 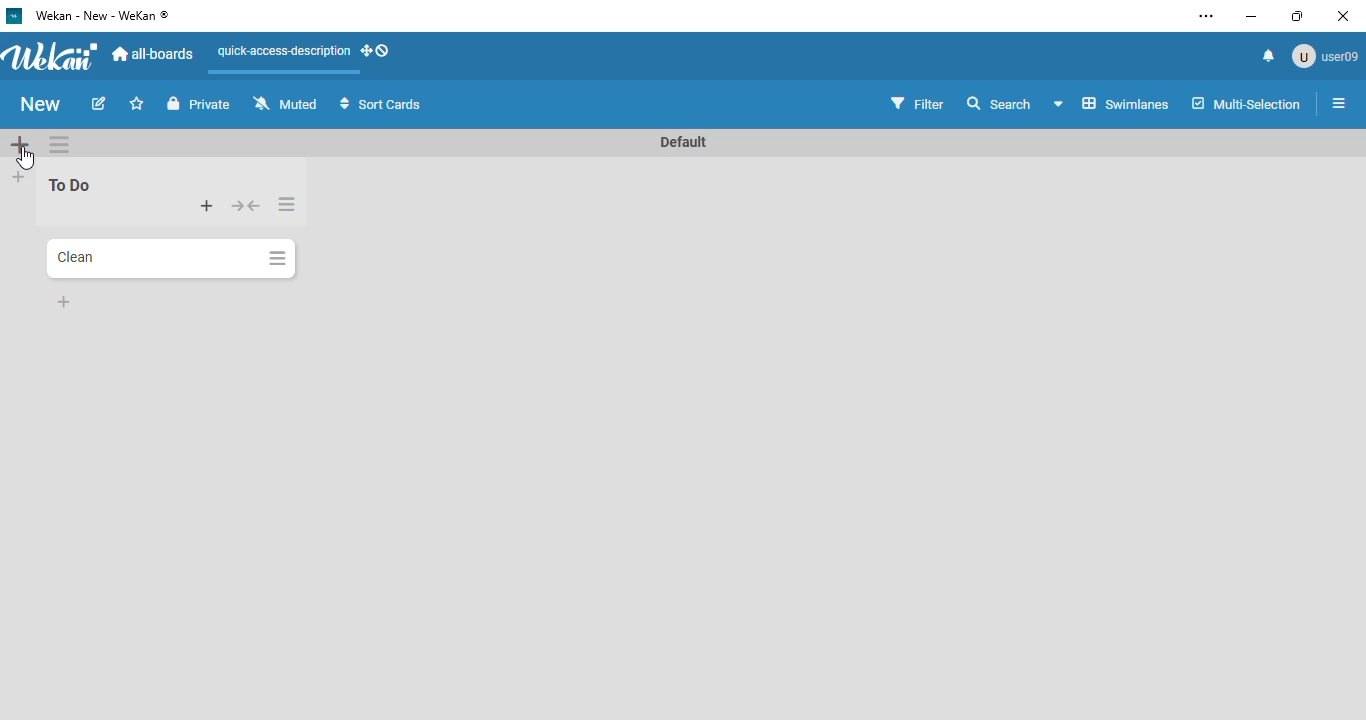 What do you see at coordinates (277, 258) in the screenshot?
I see `card actions` at bounding box center [277, 258].